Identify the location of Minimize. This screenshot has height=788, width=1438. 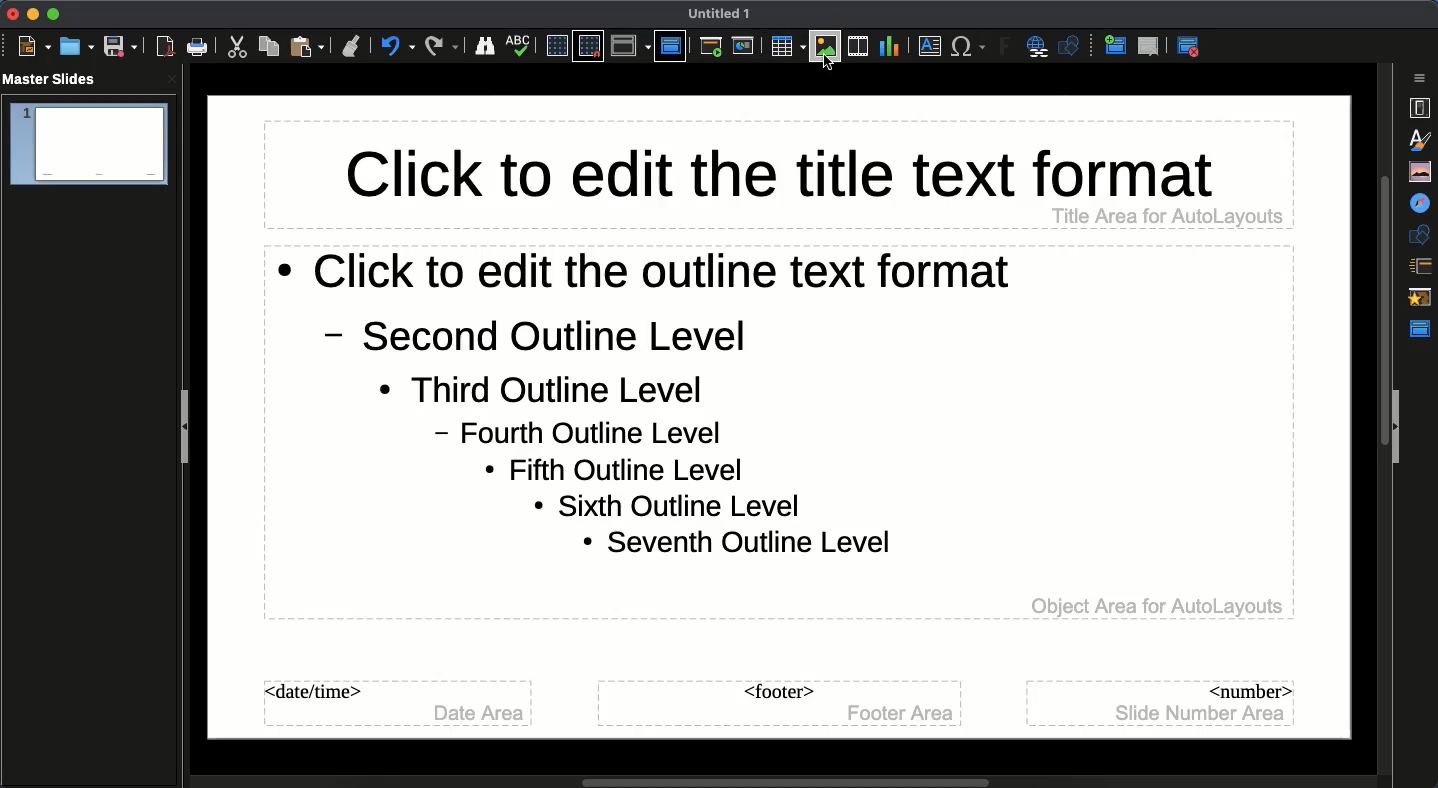
(30, 14).